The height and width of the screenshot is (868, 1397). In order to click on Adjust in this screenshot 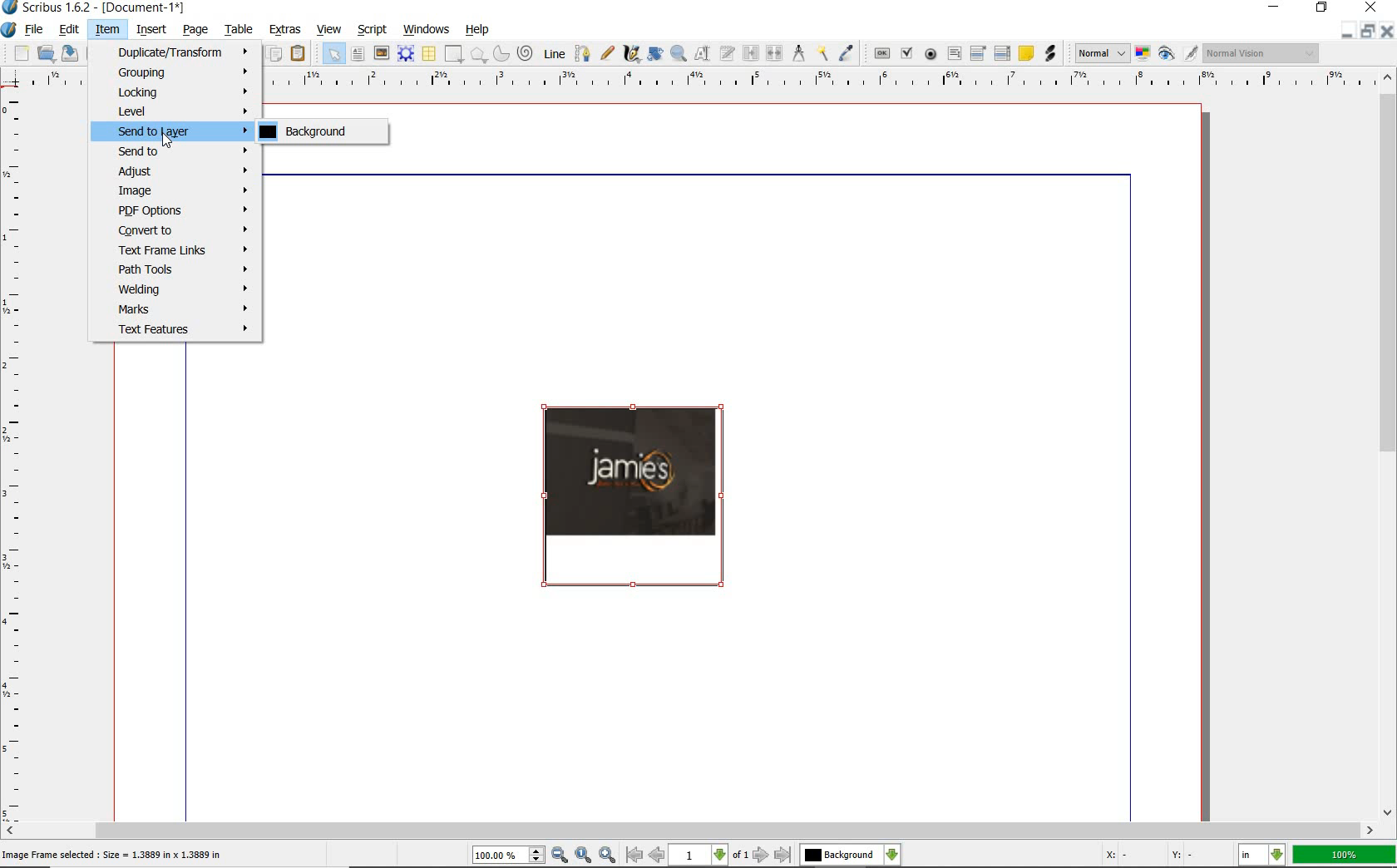, I will do `click(175, 171)`.